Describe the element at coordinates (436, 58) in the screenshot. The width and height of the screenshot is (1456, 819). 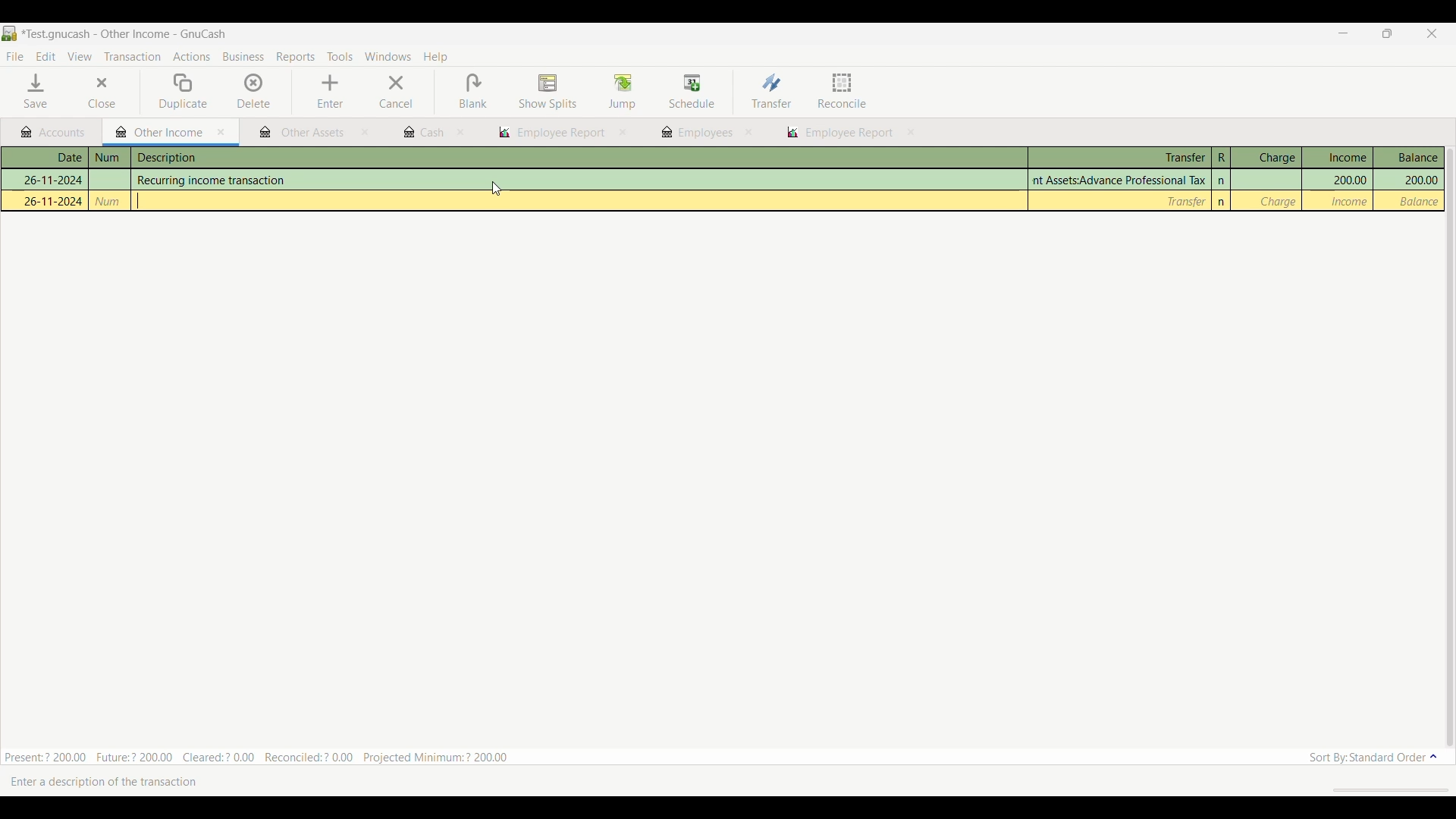
I see `Help menu` at that location.